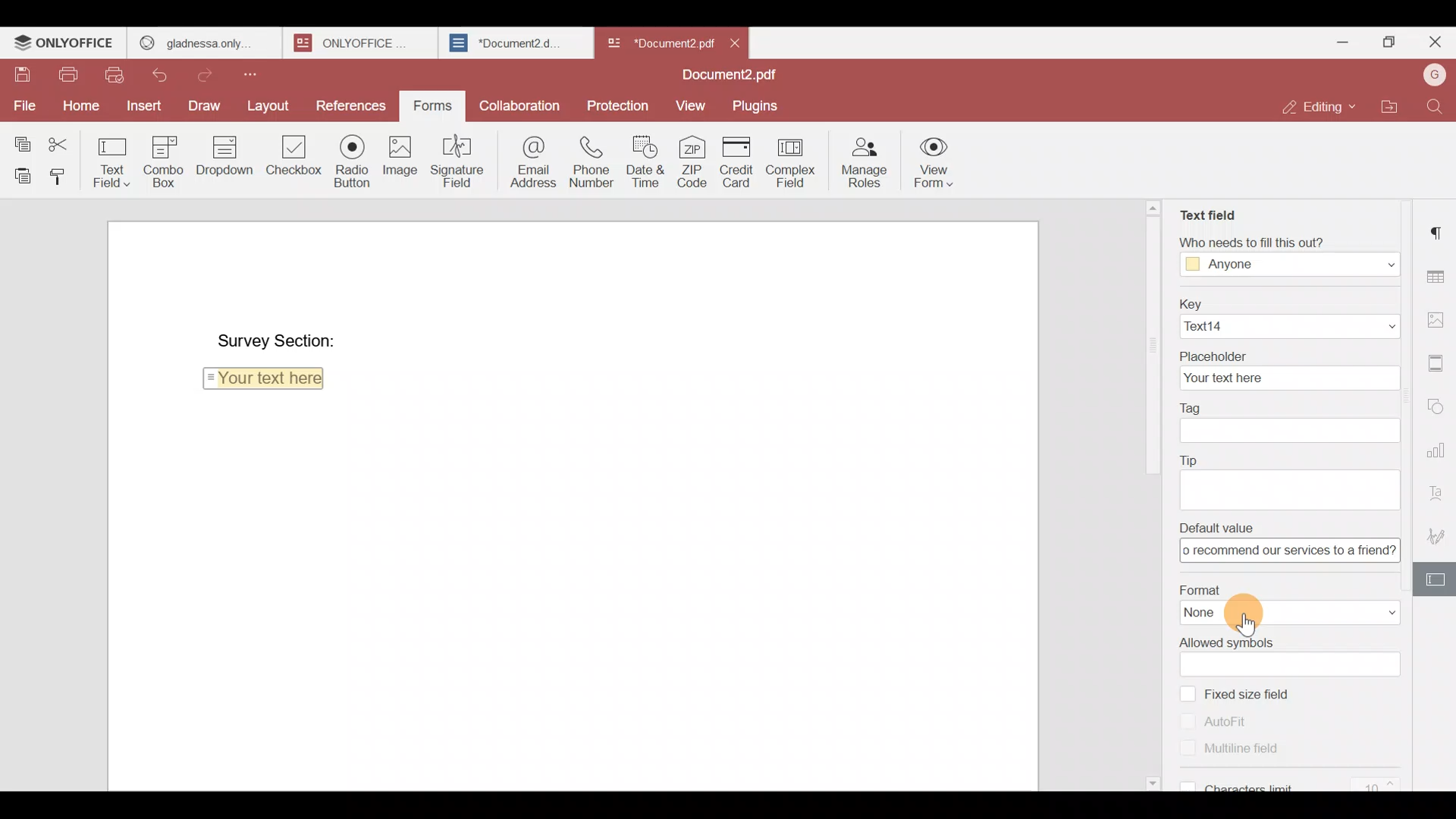 The height and width of the screenshot is (819, 1456). Describe the element at coordinates (63, 71) in the screenshot. I see `Print file` at that location.